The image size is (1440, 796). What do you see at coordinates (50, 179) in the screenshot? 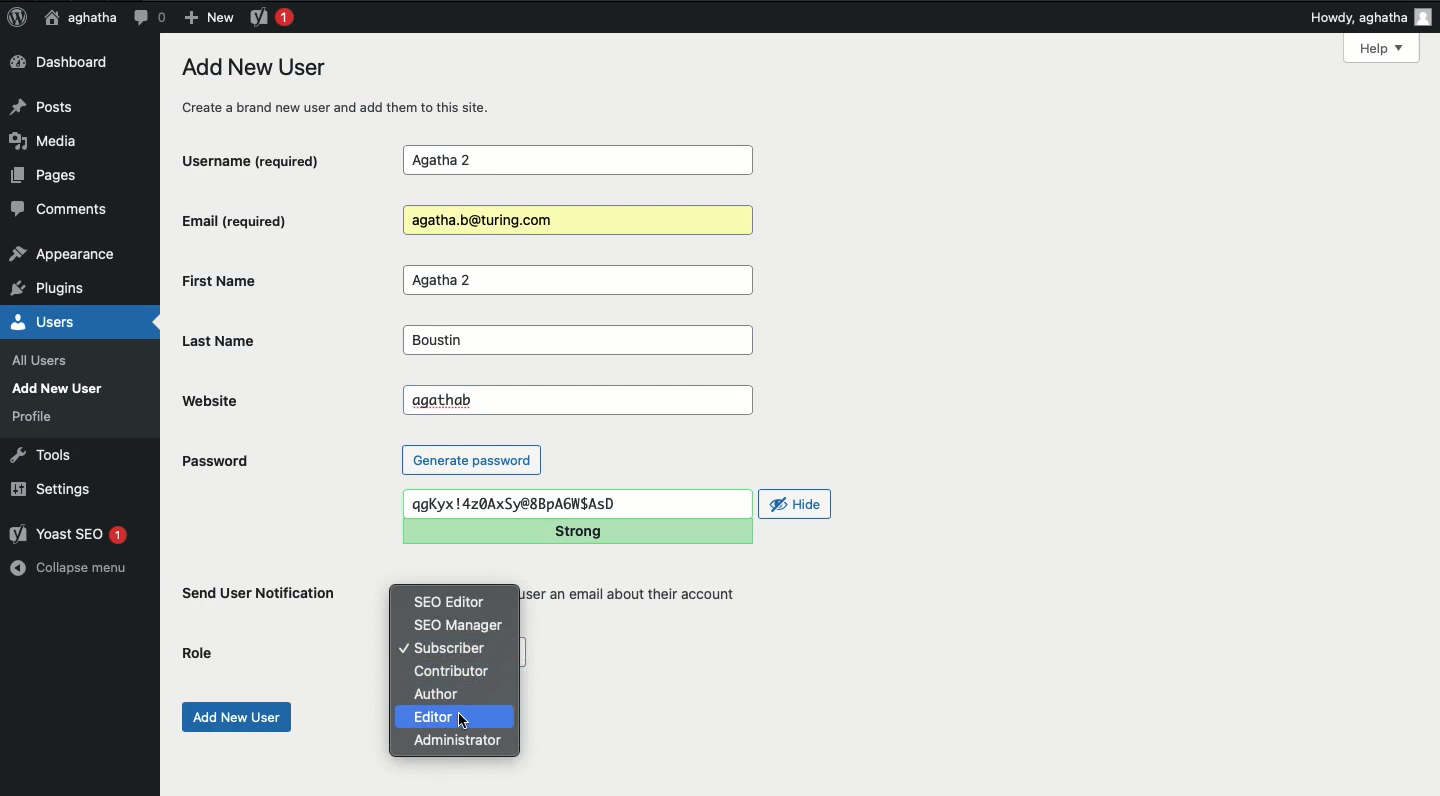
I see `Pages` at bounding box center [50, 179].